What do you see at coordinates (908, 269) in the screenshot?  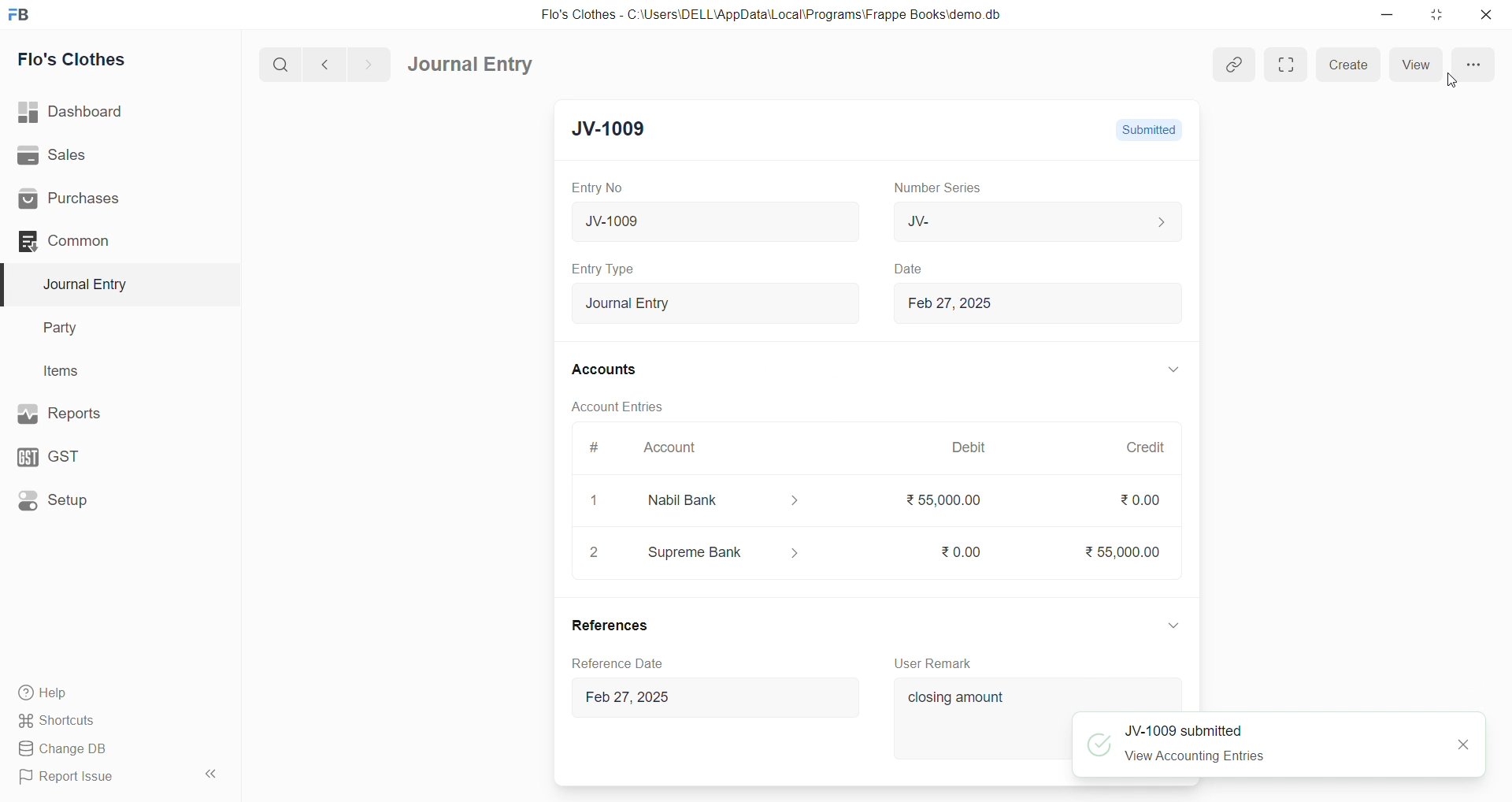 I see `Date` at bounding box center [908, 269].